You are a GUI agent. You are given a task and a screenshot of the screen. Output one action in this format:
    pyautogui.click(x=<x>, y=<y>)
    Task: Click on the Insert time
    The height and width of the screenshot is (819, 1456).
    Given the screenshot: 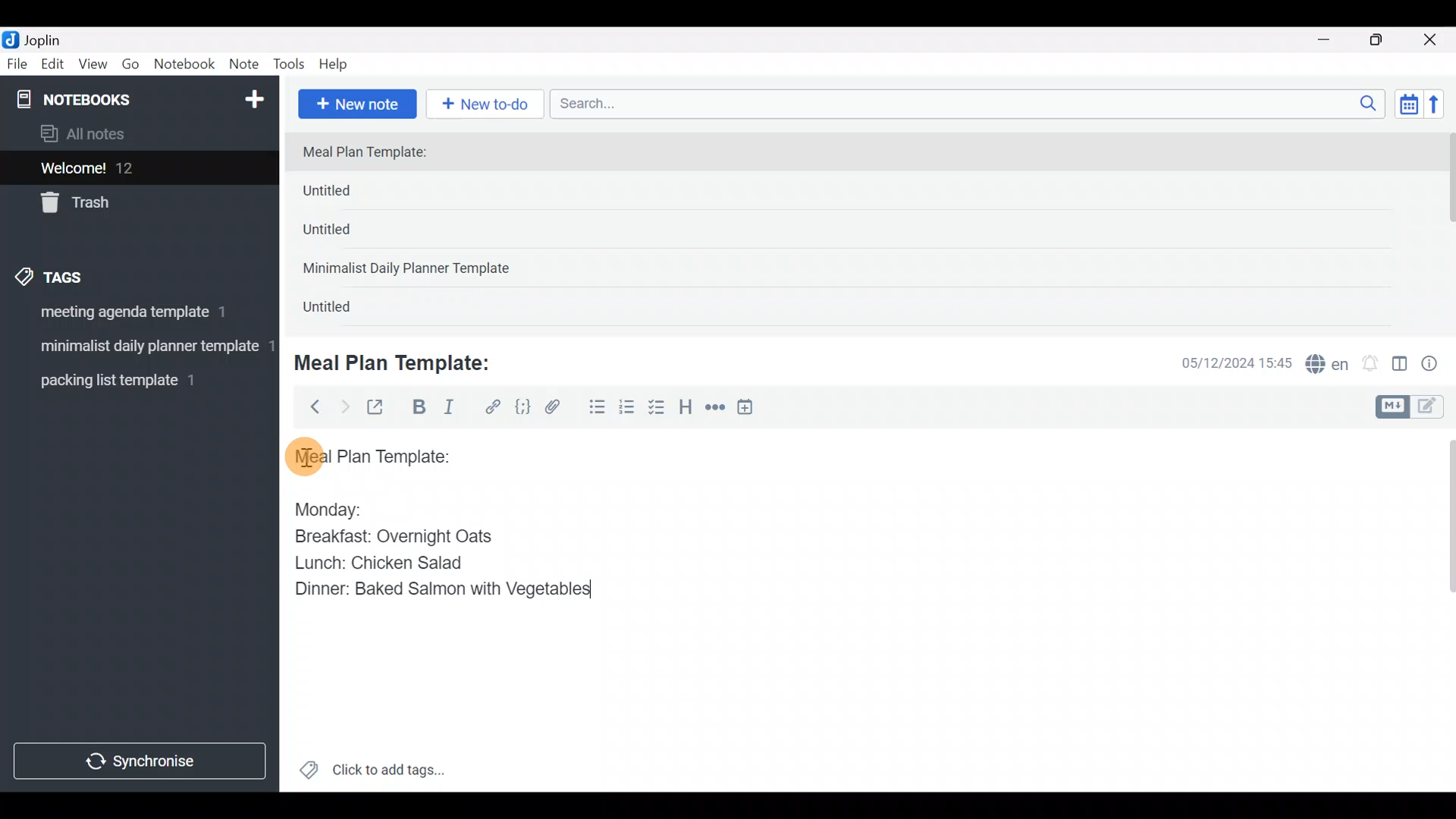 What is the action you would take?
    pyautogui.click(x=752, y=409)
    